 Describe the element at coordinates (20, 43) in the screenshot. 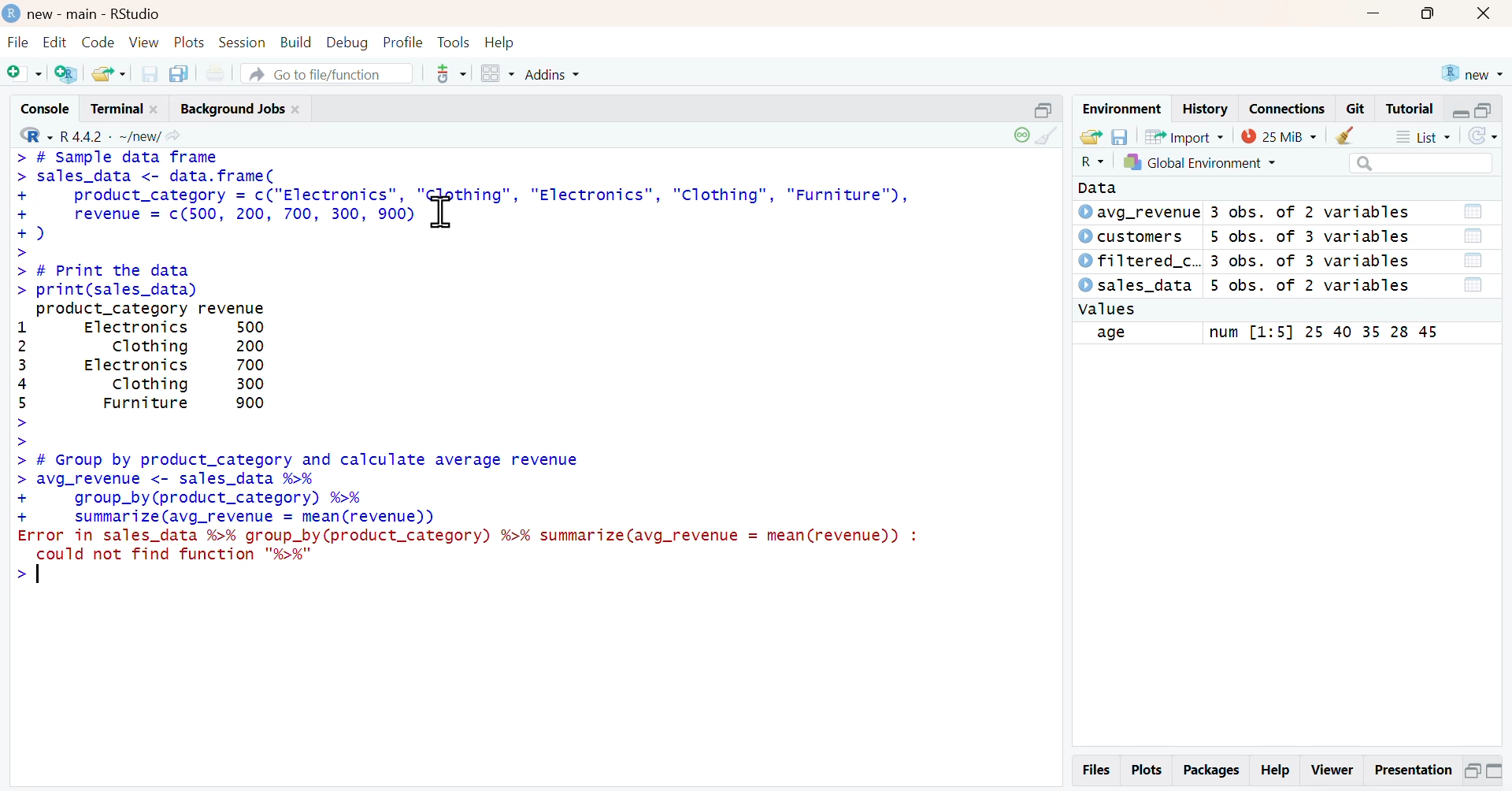

I see `File` at that location.